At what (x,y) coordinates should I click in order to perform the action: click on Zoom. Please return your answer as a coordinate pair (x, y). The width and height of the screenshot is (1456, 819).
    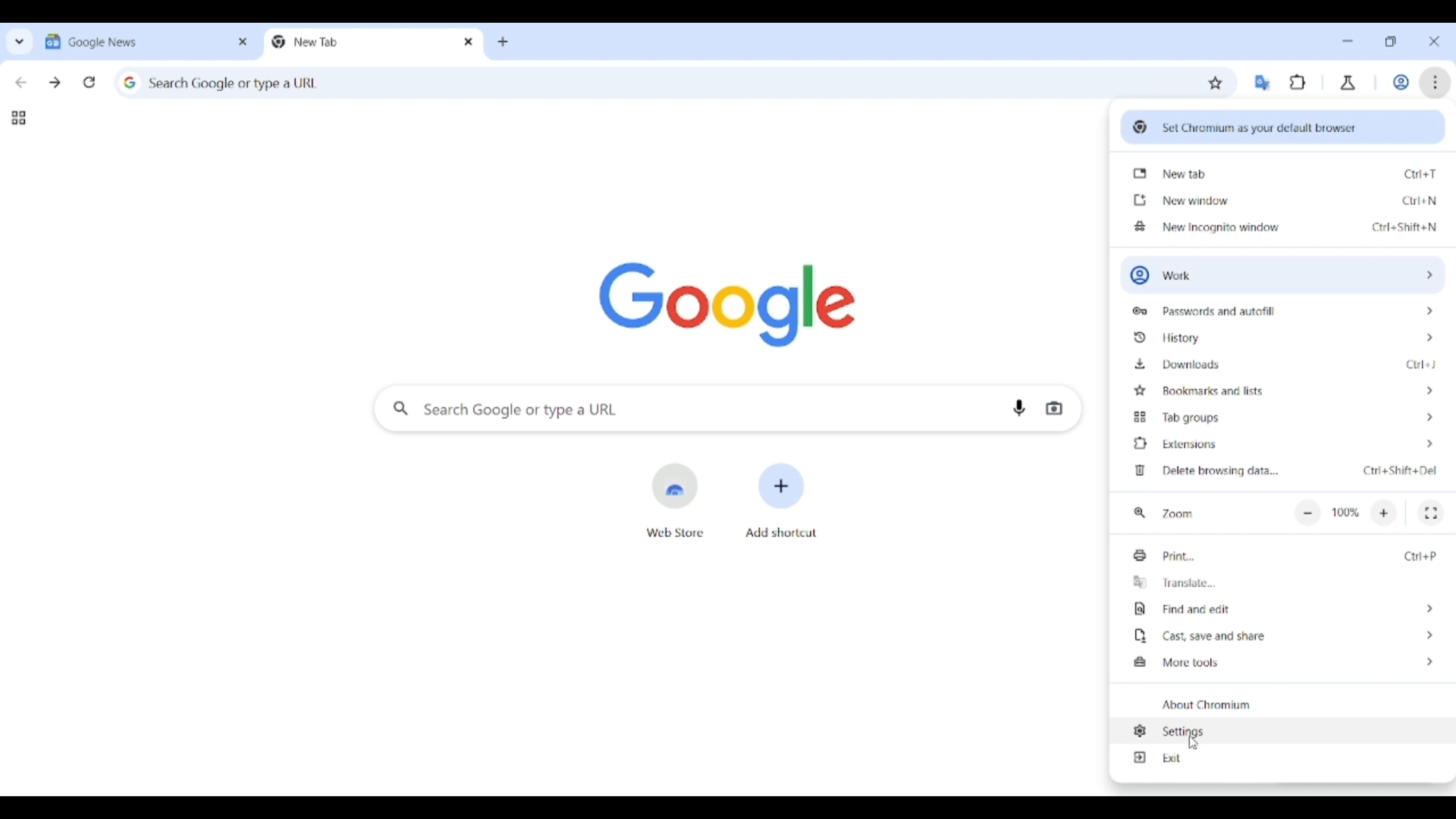
    Looking at the image, I should click on (1177, 514).